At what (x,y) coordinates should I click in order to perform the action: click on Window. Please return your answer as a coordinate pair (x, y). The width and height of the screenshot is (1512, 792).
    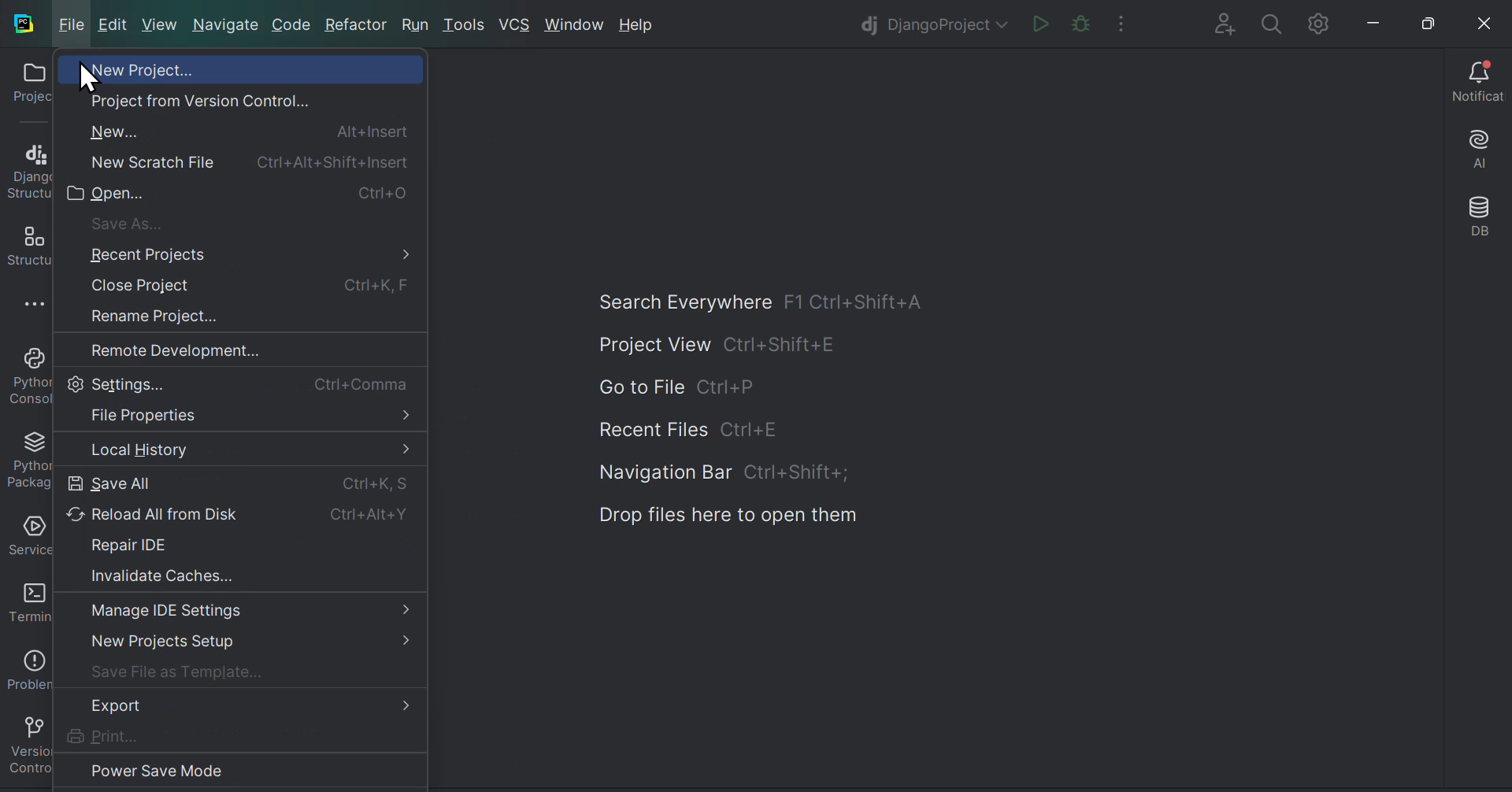
    Looking at the image, I should click on (578, 26).